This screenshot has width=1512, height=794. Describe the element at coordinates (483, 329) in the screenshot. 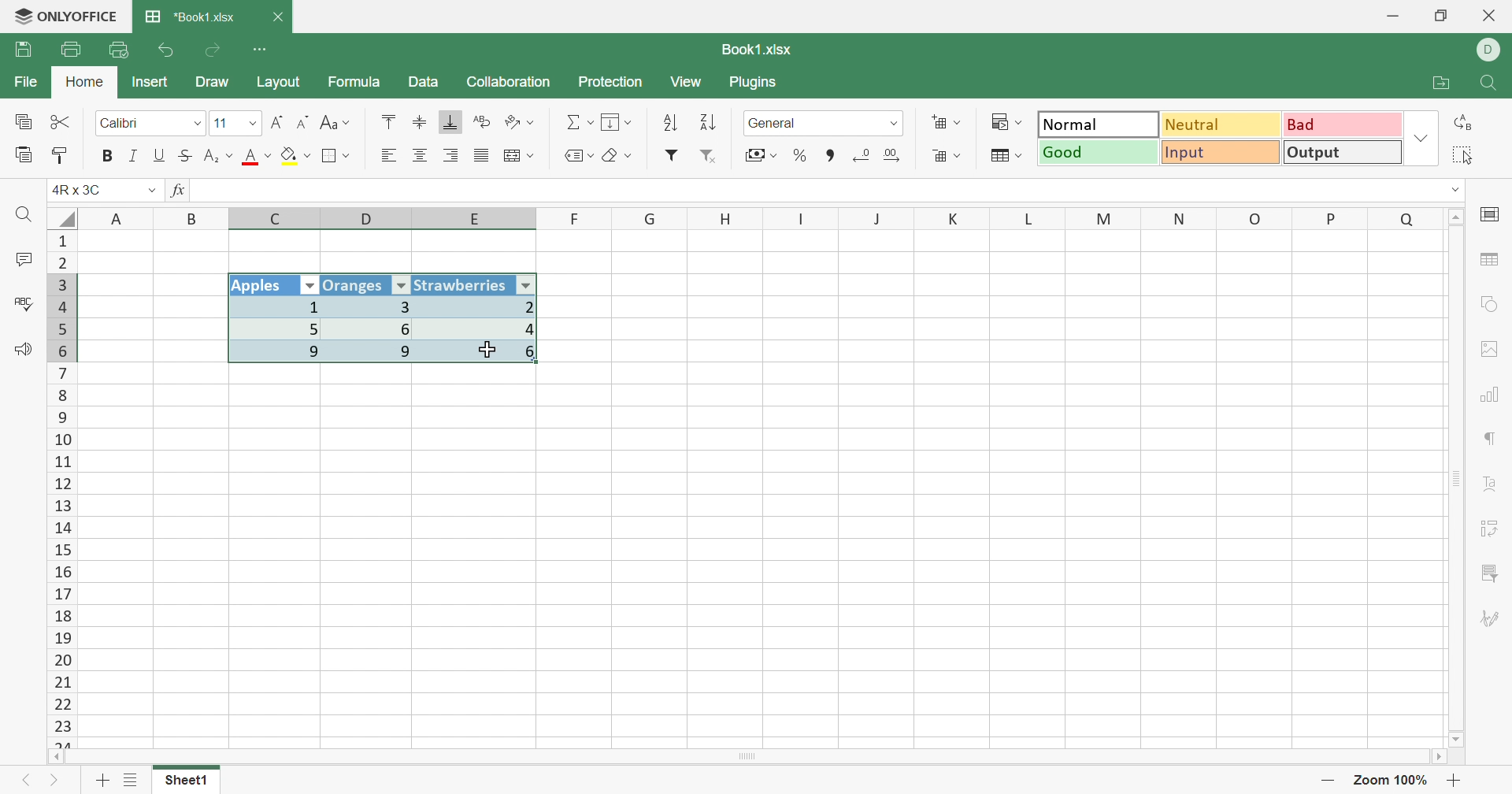

I see `4` at that location.